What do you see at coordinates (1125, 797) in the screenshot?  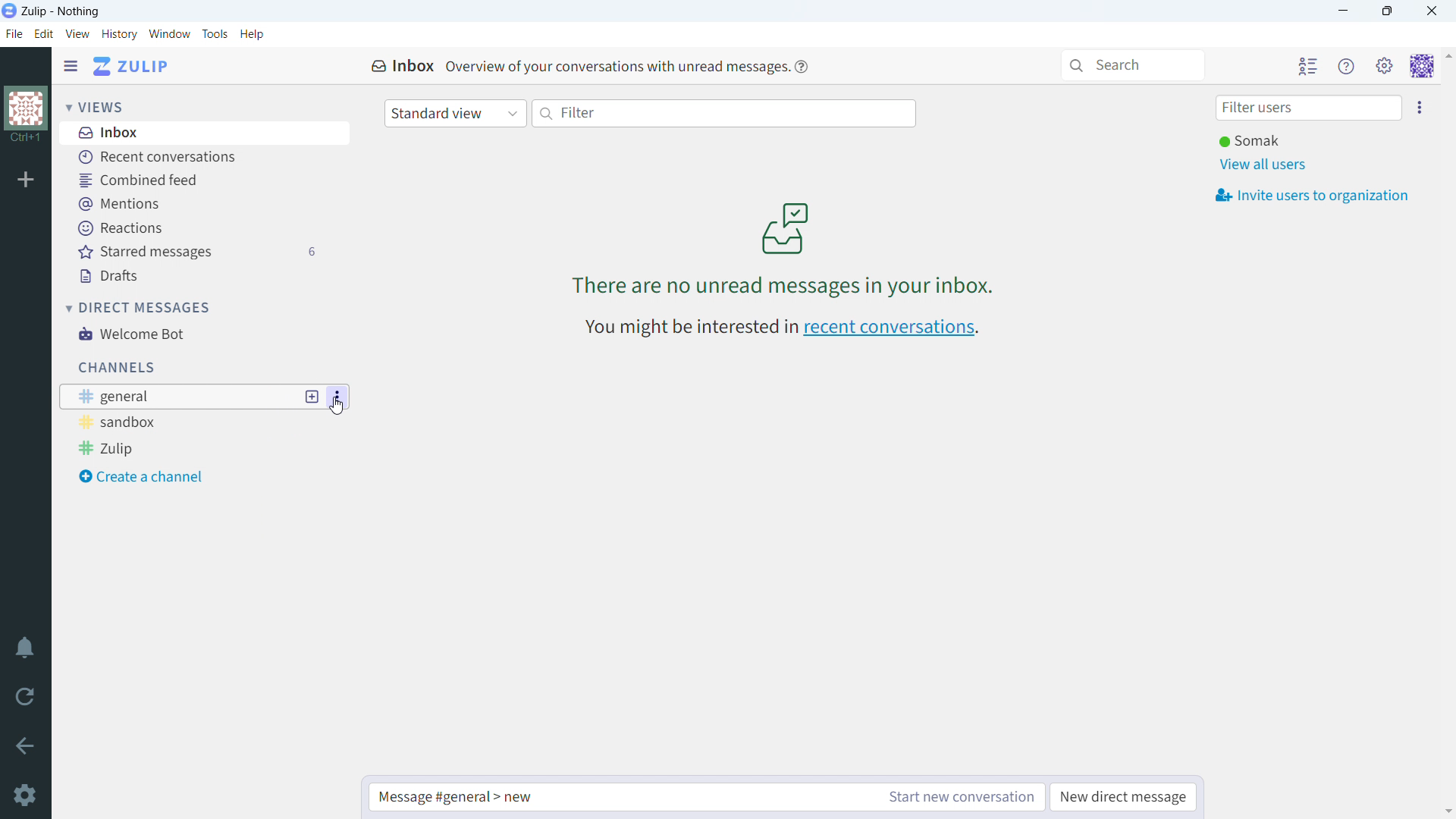 I see `new direct message` at bounding box center [1125, 797].